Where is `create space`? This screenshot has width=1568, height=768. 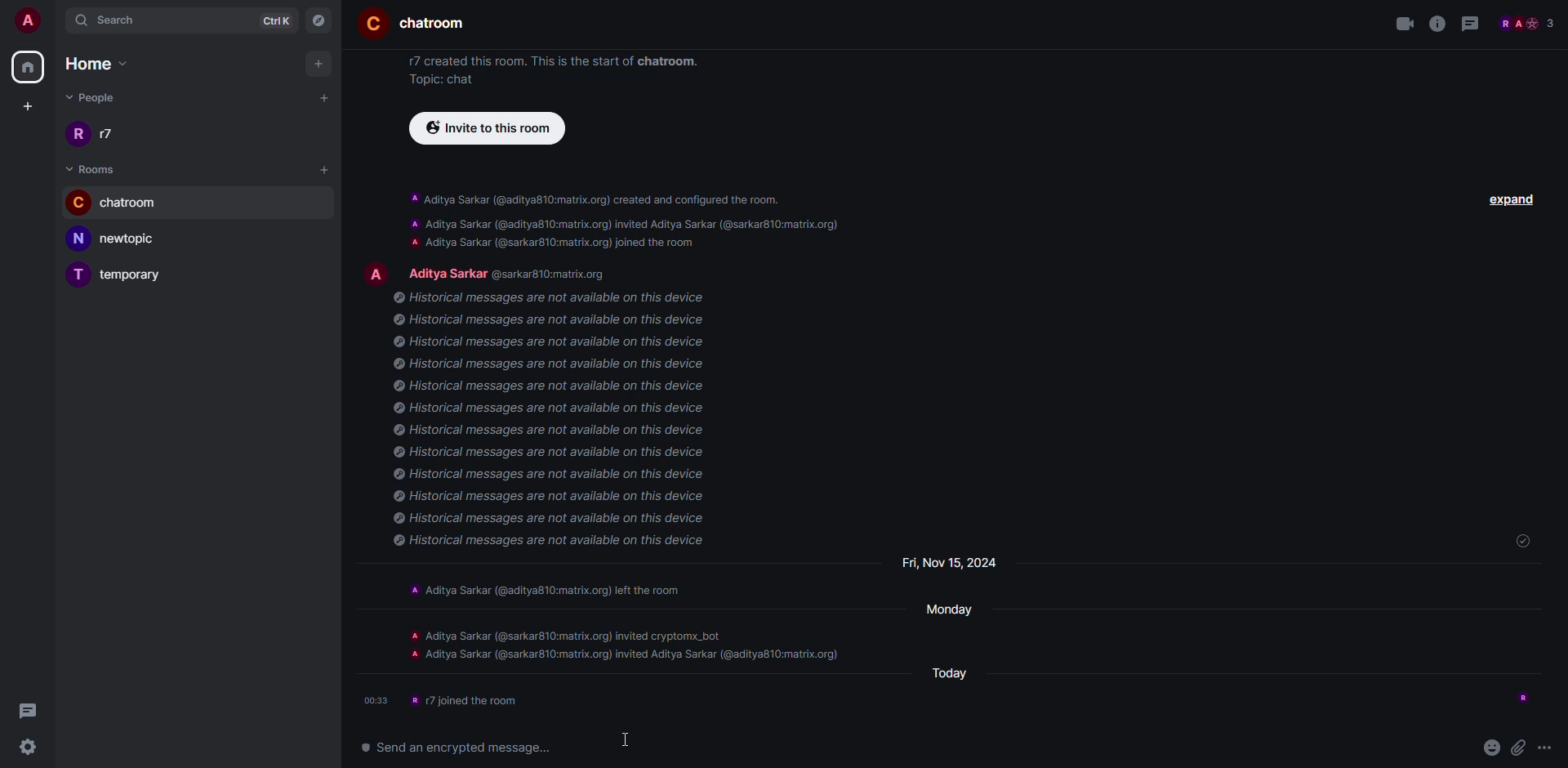
create space is located at coordinates (25, 105).